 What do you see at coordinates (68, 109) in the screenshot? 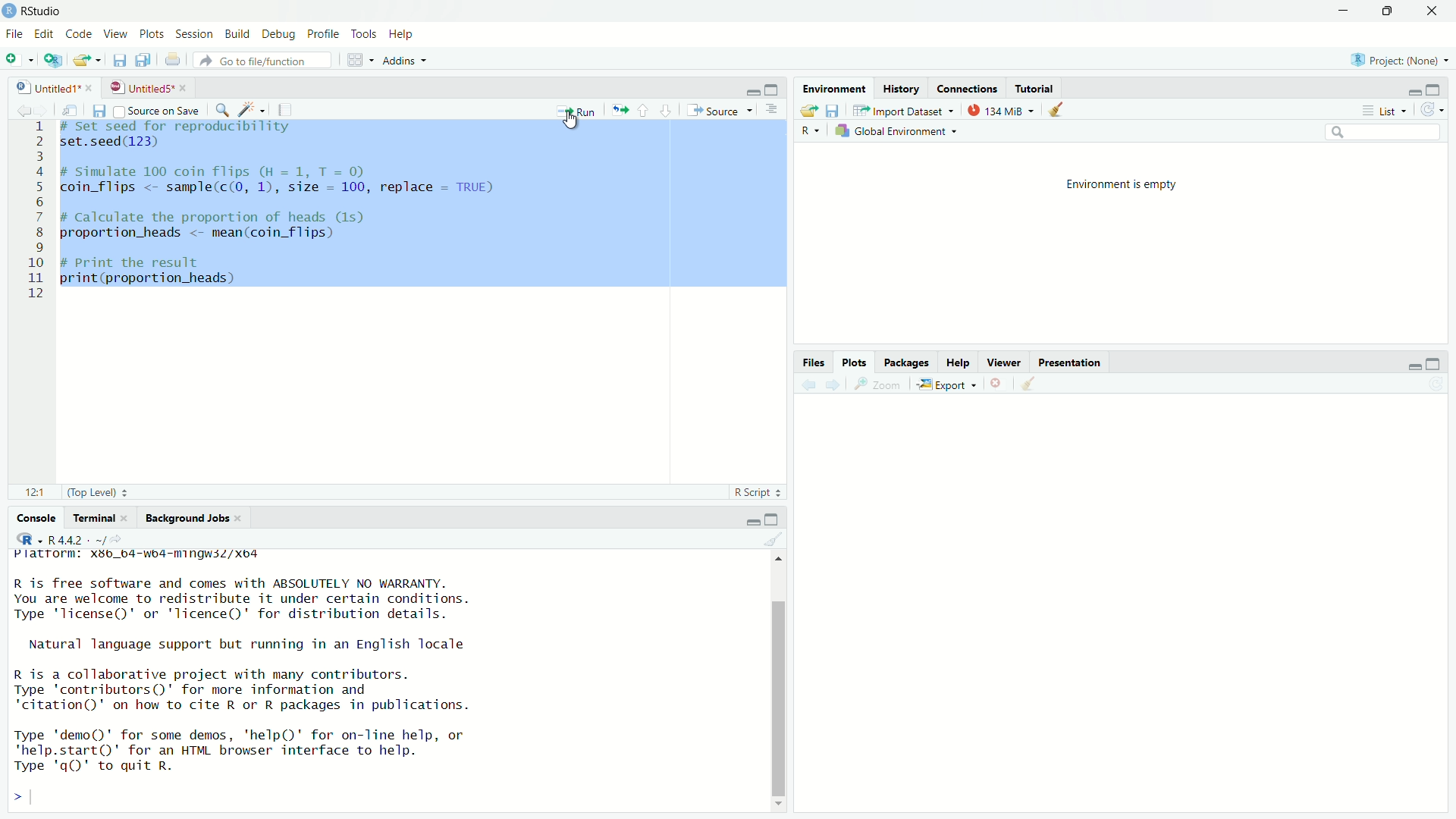
I see `show in new window` at bounding box center [68, 109].